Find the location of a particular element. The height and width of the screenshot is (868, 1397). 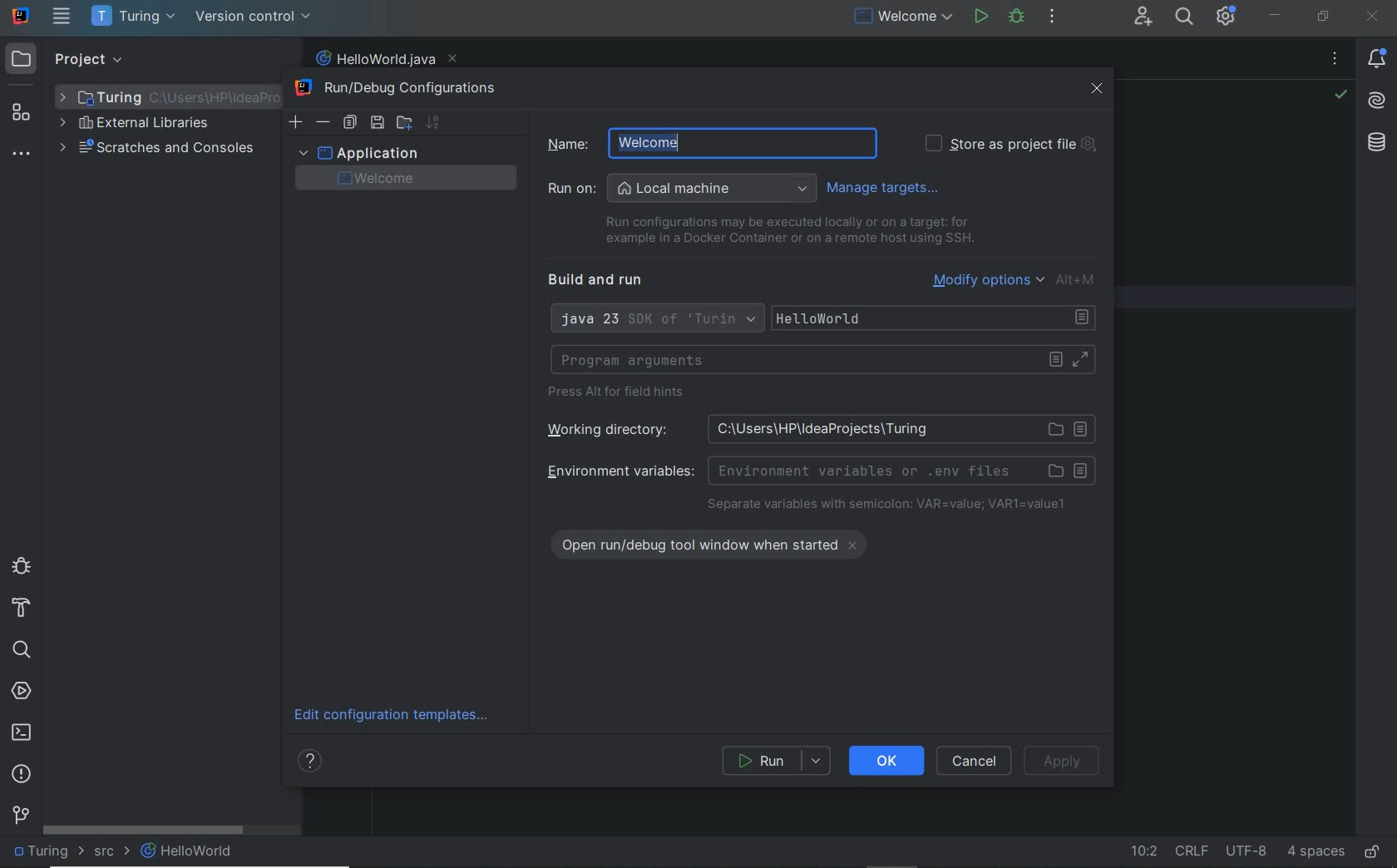

Database is located at coordinates (1380, 146).